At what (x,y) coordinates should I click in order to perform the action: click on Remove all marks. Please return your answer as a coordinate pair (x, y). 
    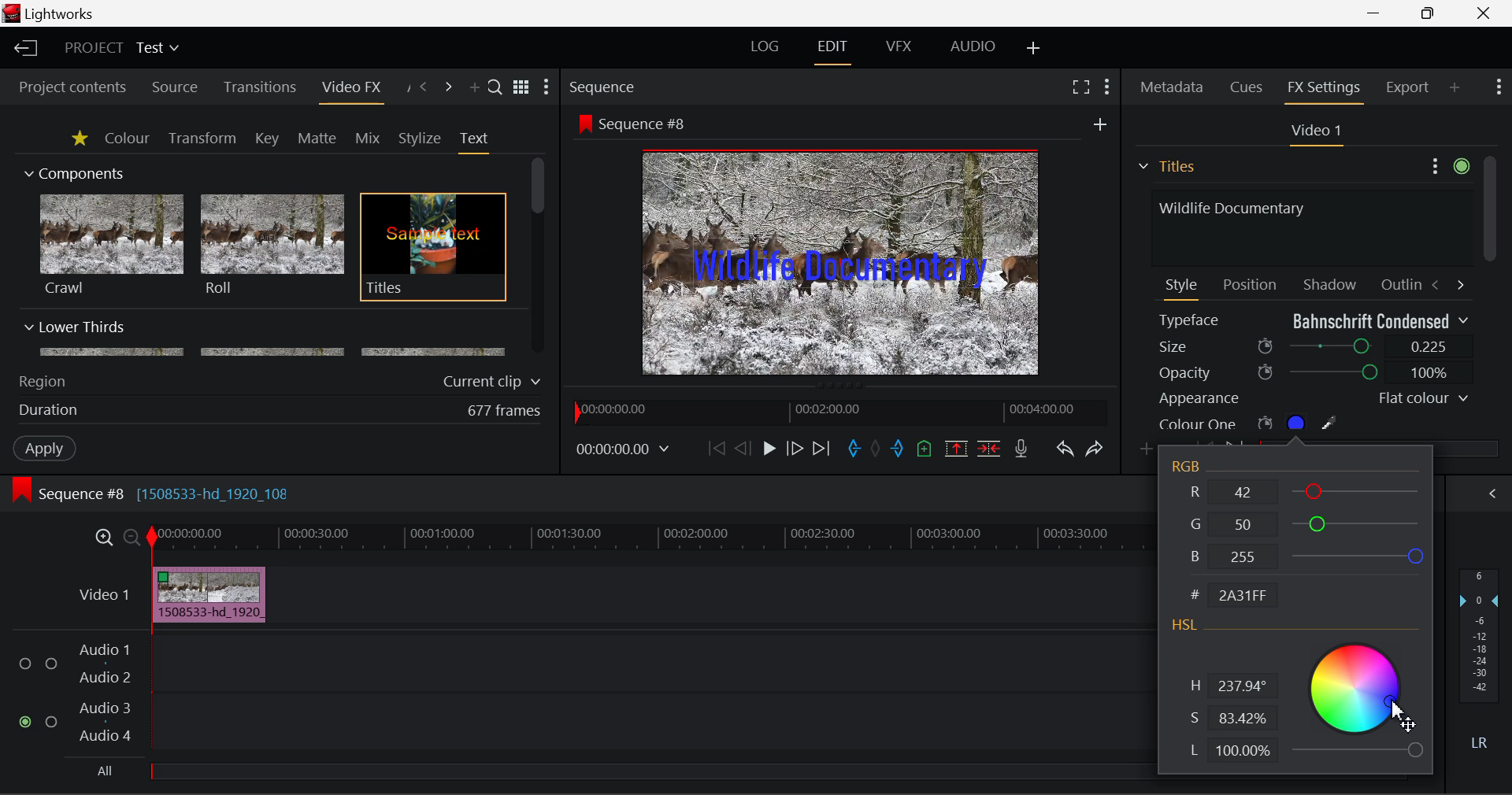
    Looking at the image, I should click on (877, 450).